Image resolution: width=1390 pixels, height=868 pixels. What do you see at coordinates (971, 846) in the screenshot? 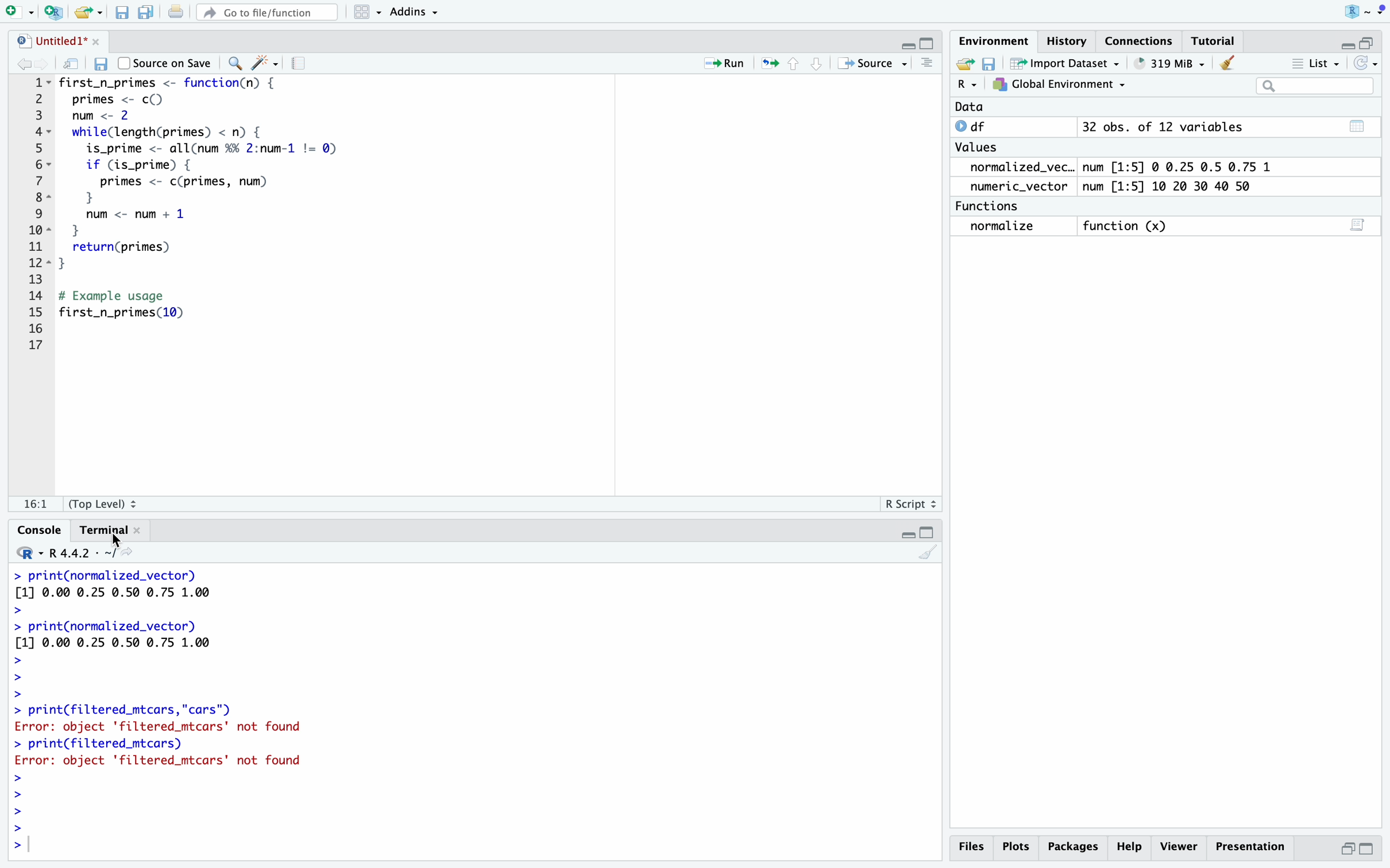
I see `Files` at bounding box center [971, 846].